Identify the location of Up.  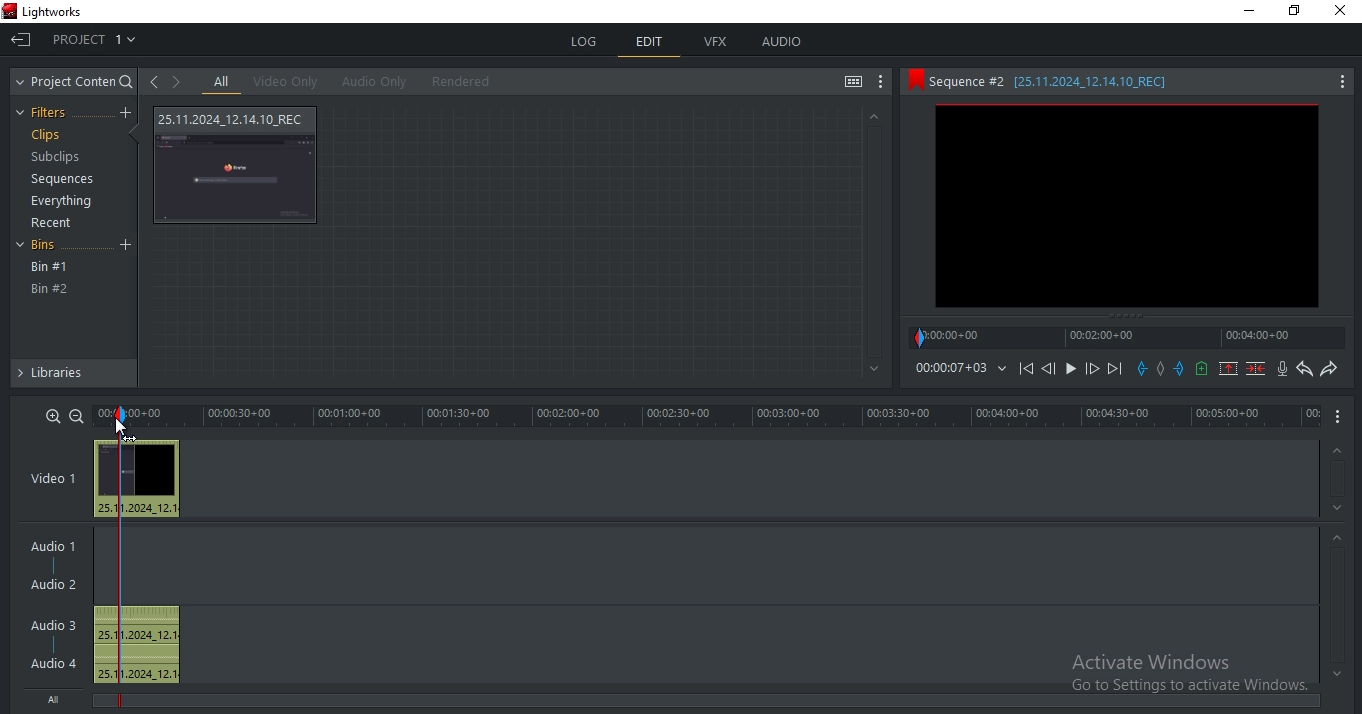
(873, 116).